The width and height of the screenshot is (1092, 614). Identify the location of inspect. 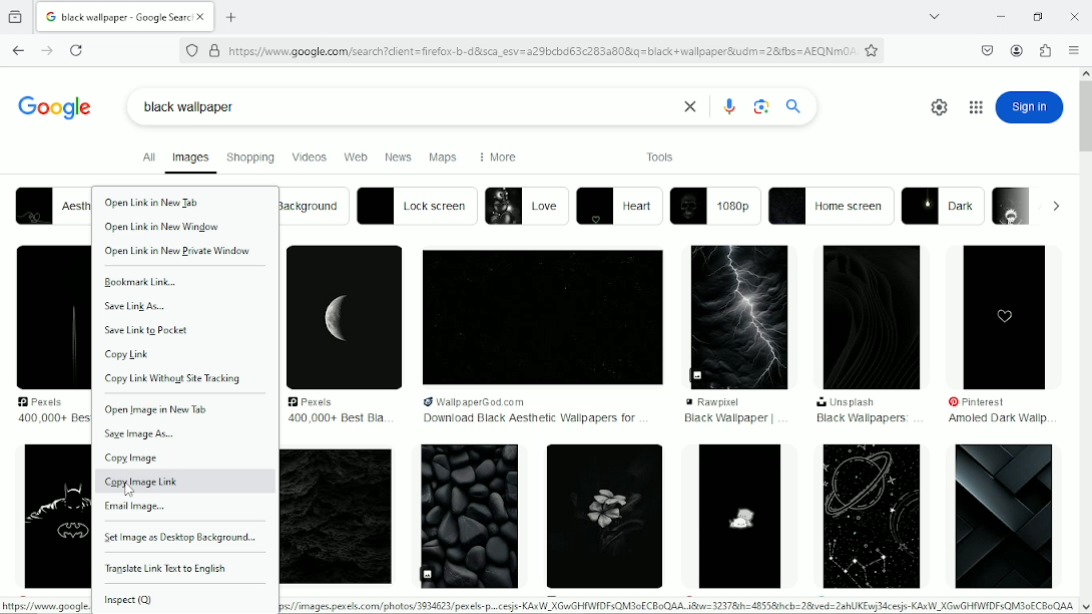
(133, 600).